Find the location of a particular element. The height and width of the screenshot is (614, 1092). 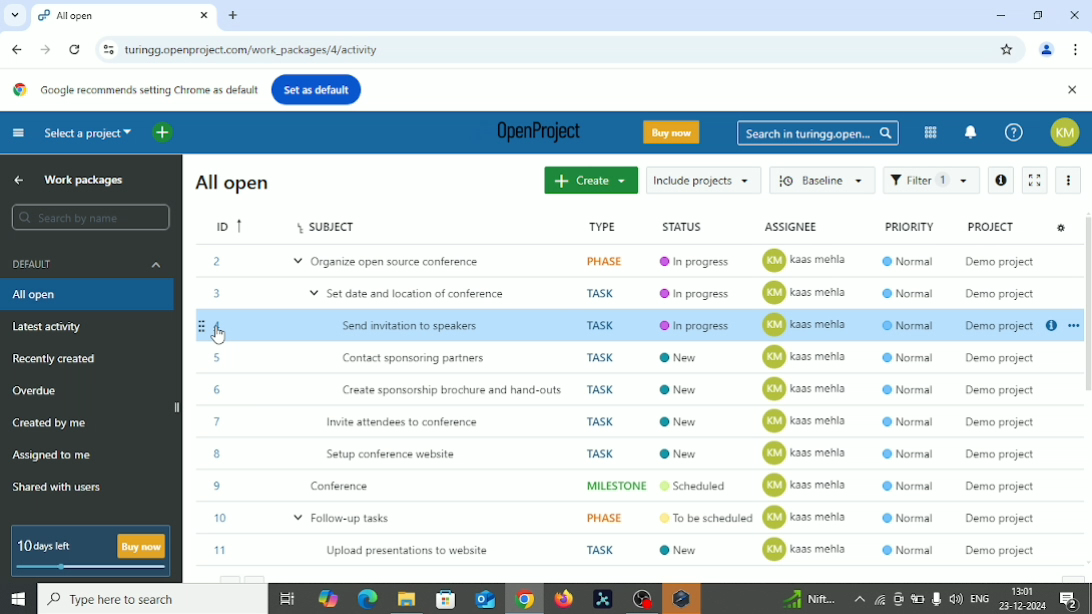

Subject is located at coordinates (399, 225).